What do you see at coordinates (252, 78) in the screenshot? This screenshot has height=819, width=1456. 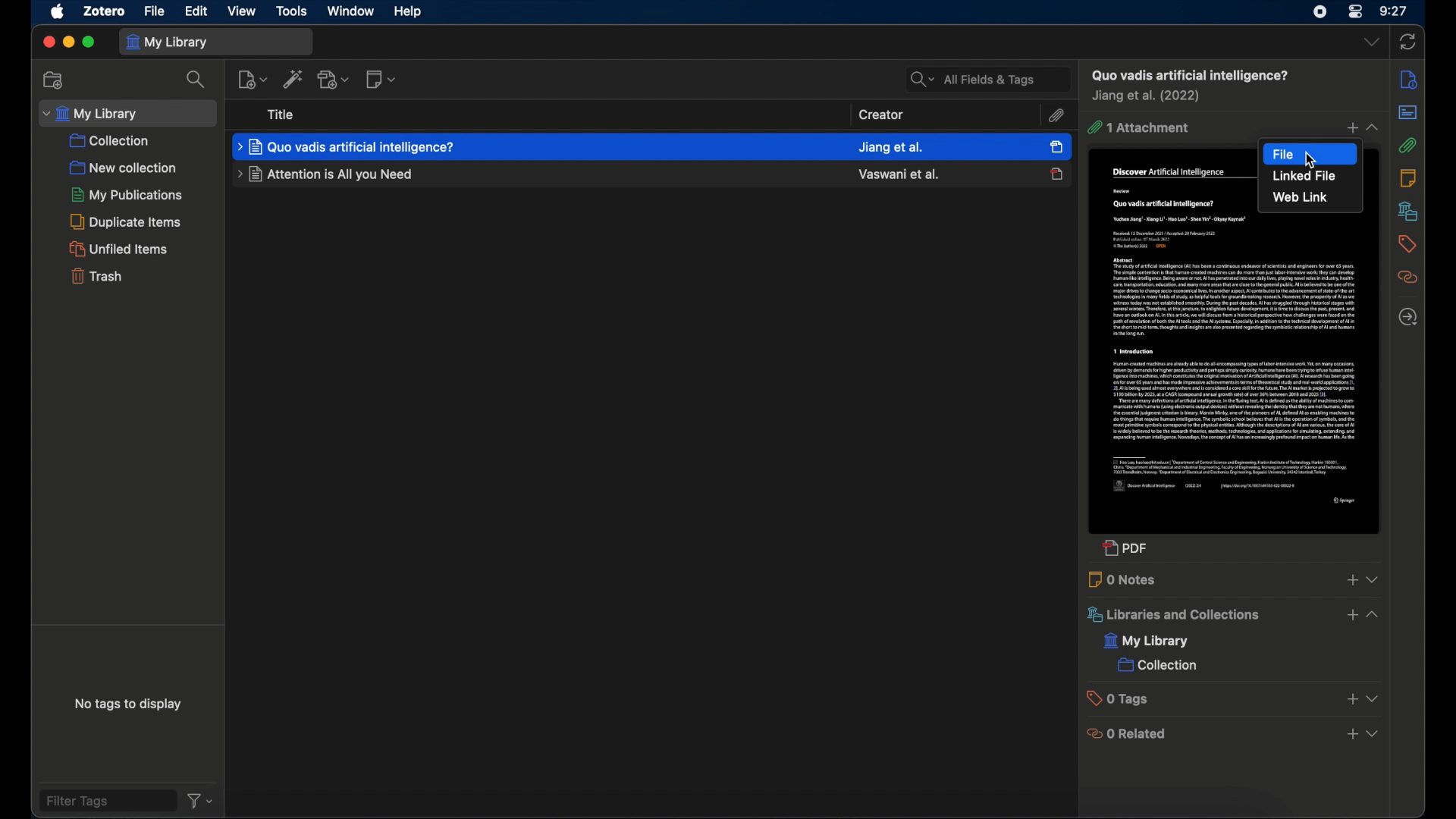 I see `new item` at bounding box center [252, 78].